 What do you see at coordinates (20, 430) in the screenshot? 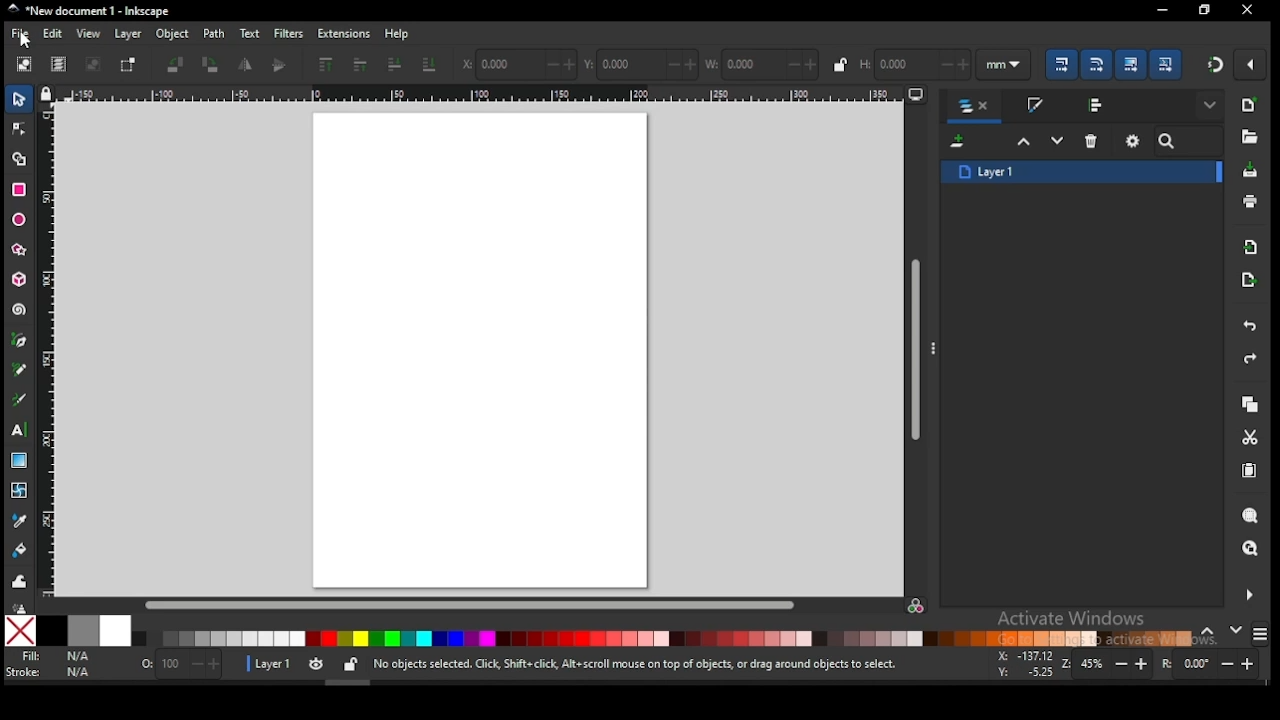
I see `text tool` at bounding box center [20, 430].